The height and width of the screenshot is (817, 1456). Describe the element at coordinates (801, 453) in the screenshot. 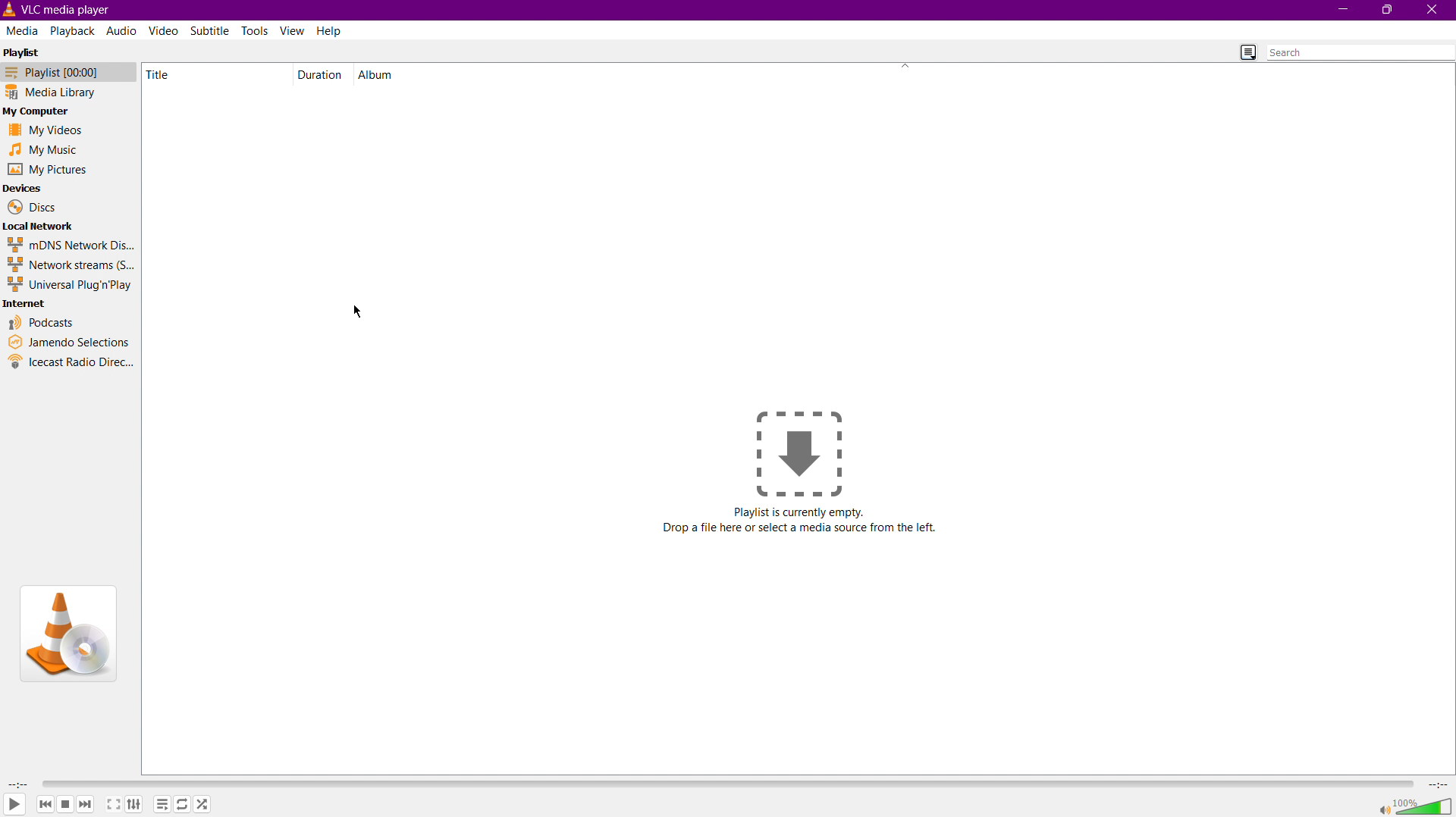

I see `Drop a file Icon` at that location.